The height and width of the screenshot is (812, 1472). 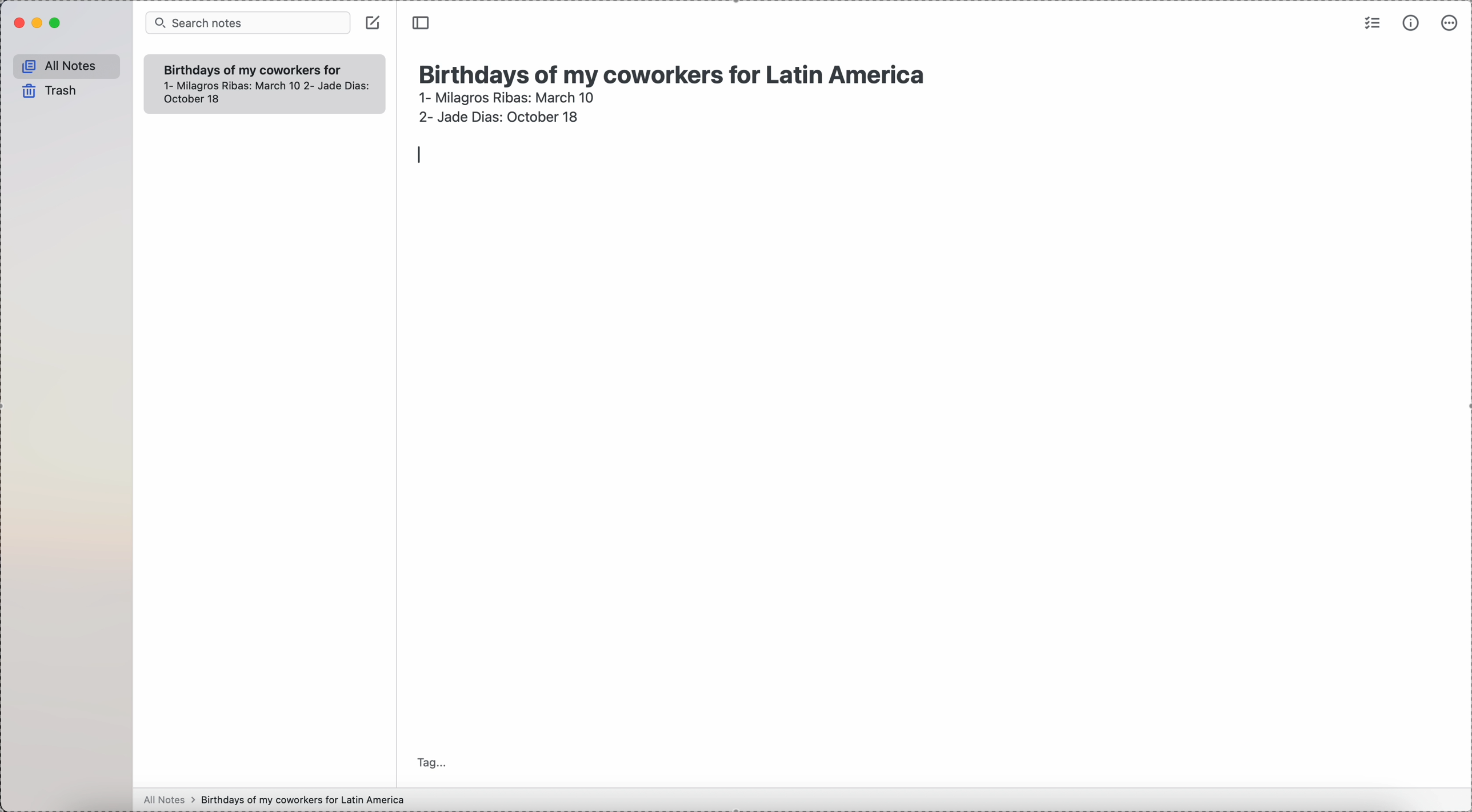 What do you see at coordinates (373, 22) in the screenshot?
I see `create note` at bounding box center [373, 22].